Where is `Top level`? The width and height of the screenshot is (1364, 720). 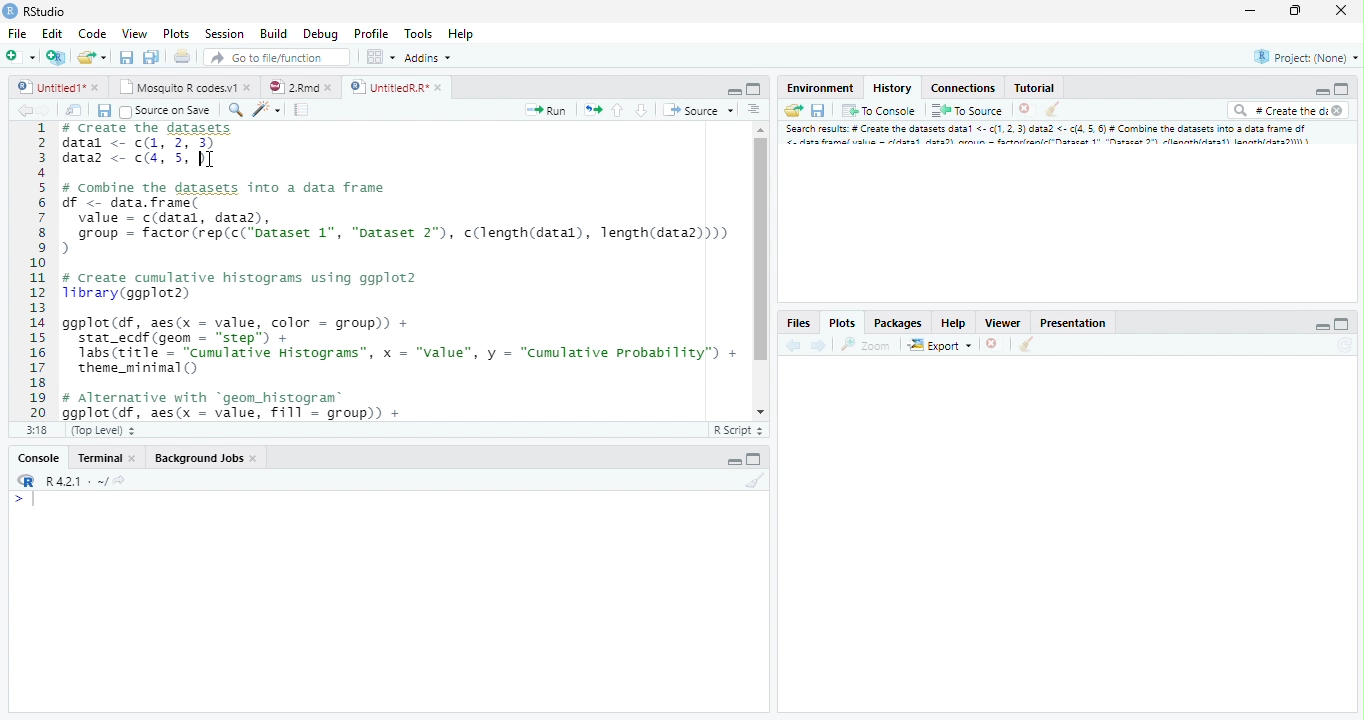 Top level is located at coordinates (105, 428).